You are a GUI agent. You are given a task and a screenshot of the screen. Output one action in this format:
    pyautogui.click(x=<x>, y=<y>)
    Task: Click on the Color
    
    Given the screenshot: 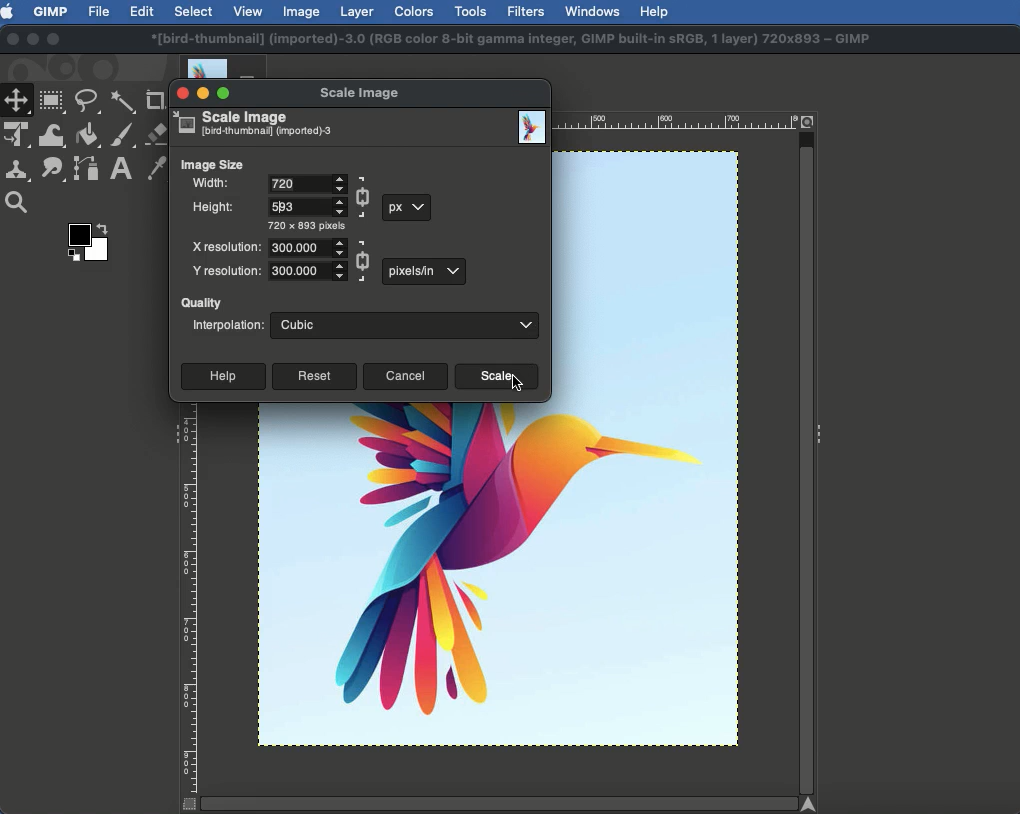 What is the action you would take?
    pyautogui.click(x=84, y=239)
    